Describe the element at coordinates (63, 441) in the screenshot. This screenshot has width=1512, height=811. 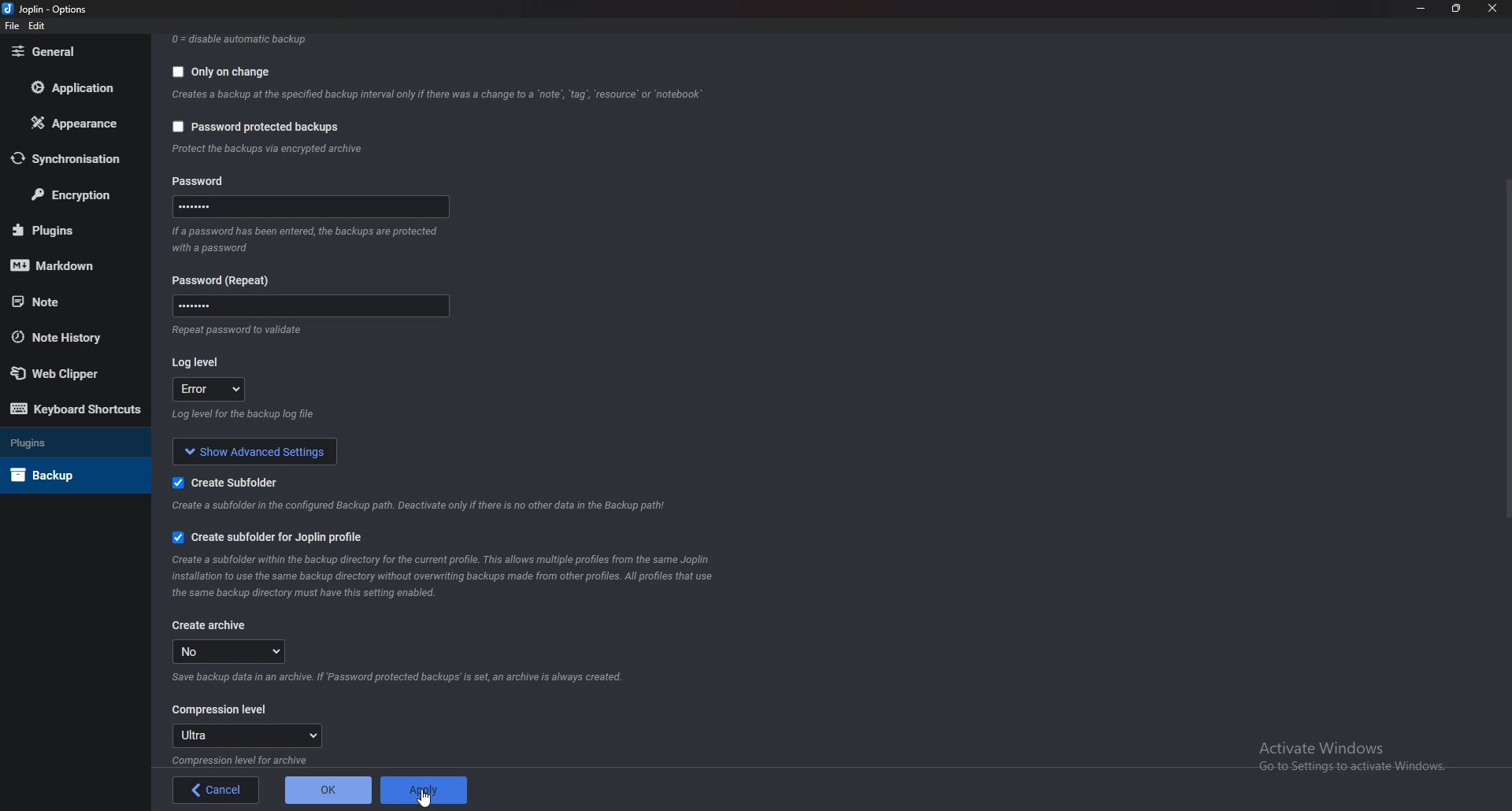
I see `Plugins` at that location.